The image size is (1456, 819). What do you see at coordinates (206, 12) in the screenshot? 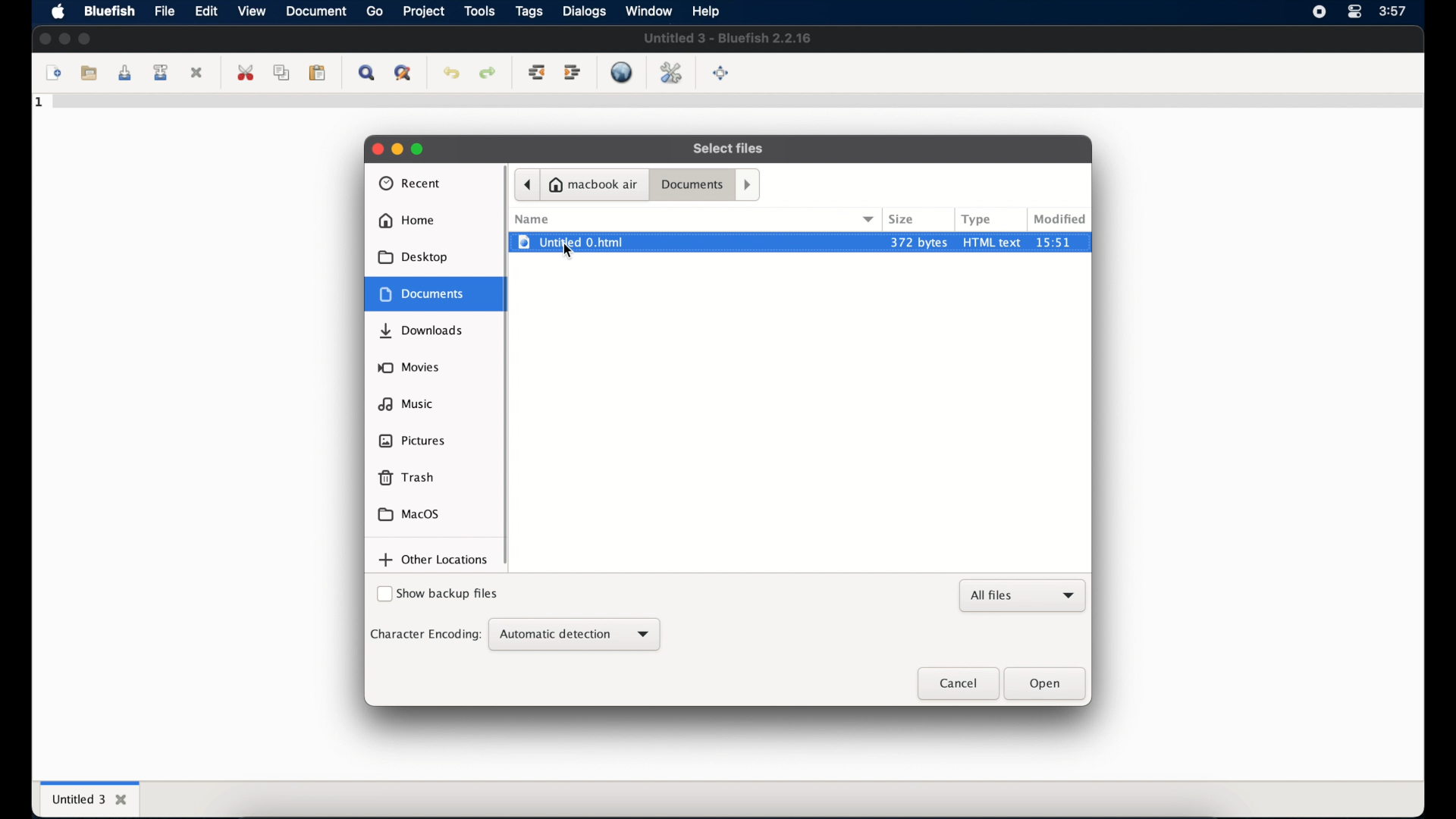
I see `edit` at bounding box center [206, 12].